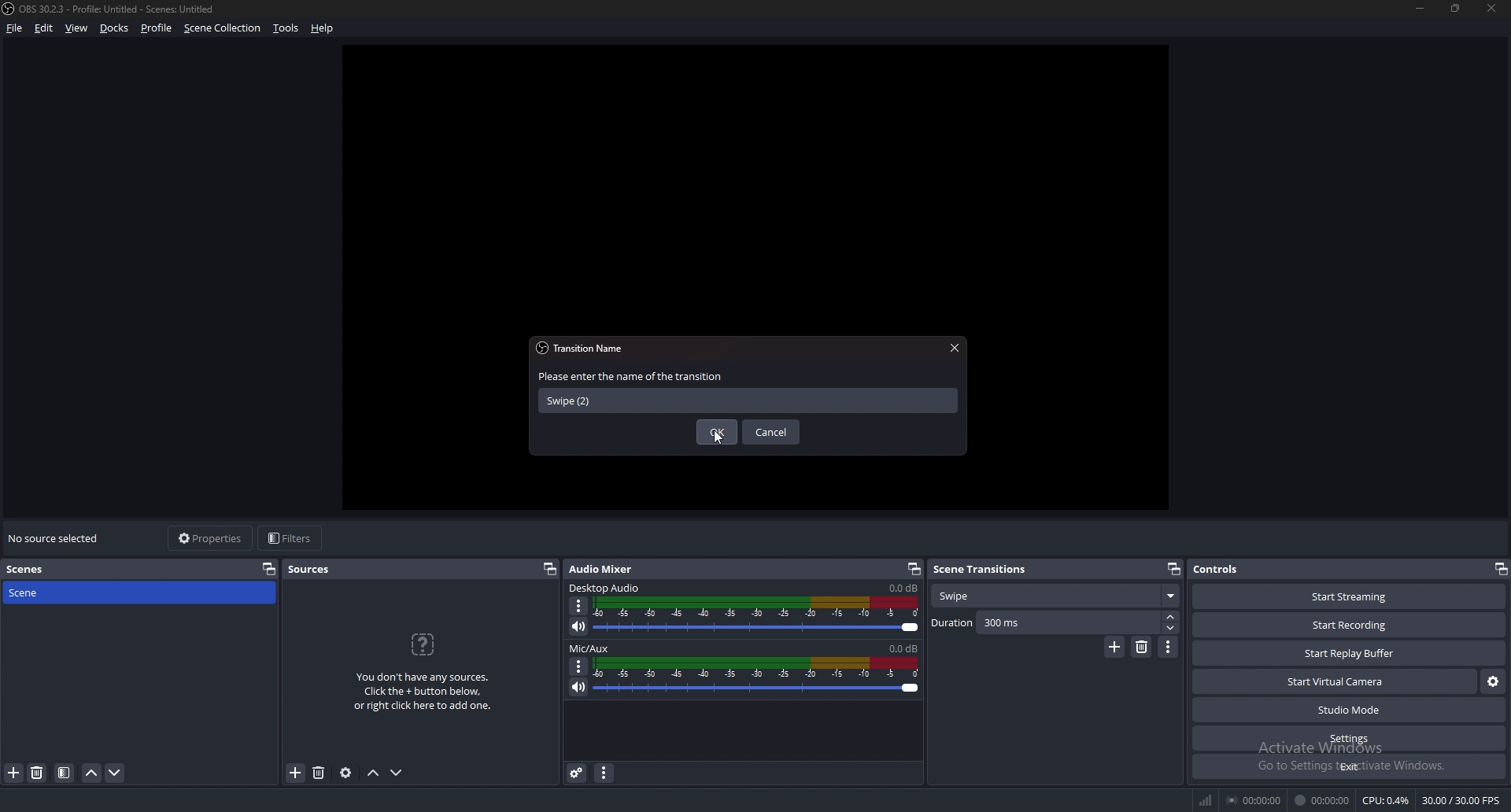 The height and width of the screenshot is (812, 1511). I want to click on pop out, so click(549, 570).